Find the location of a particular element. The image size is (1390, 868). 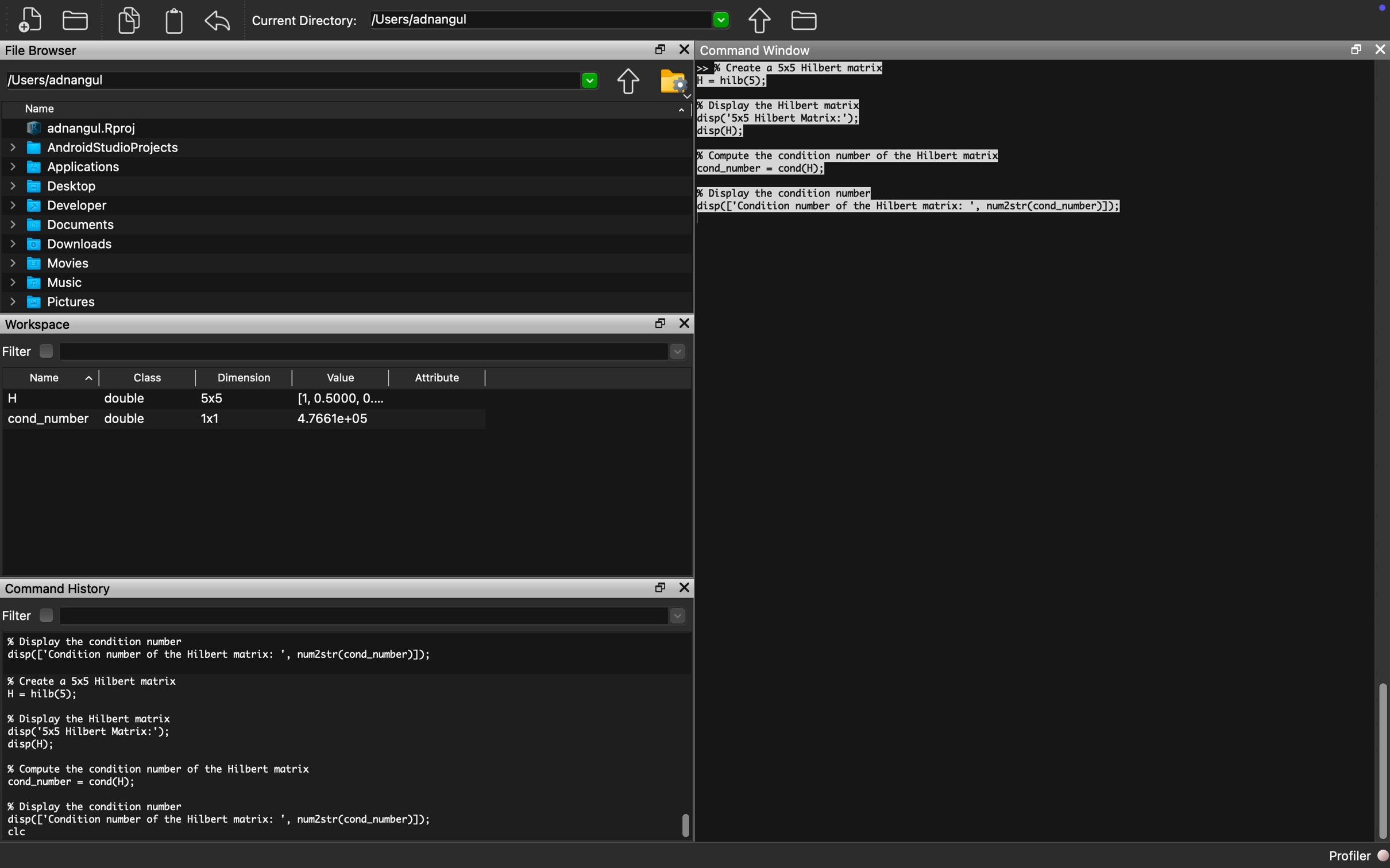

Developer is located at coordinates (57, 205).